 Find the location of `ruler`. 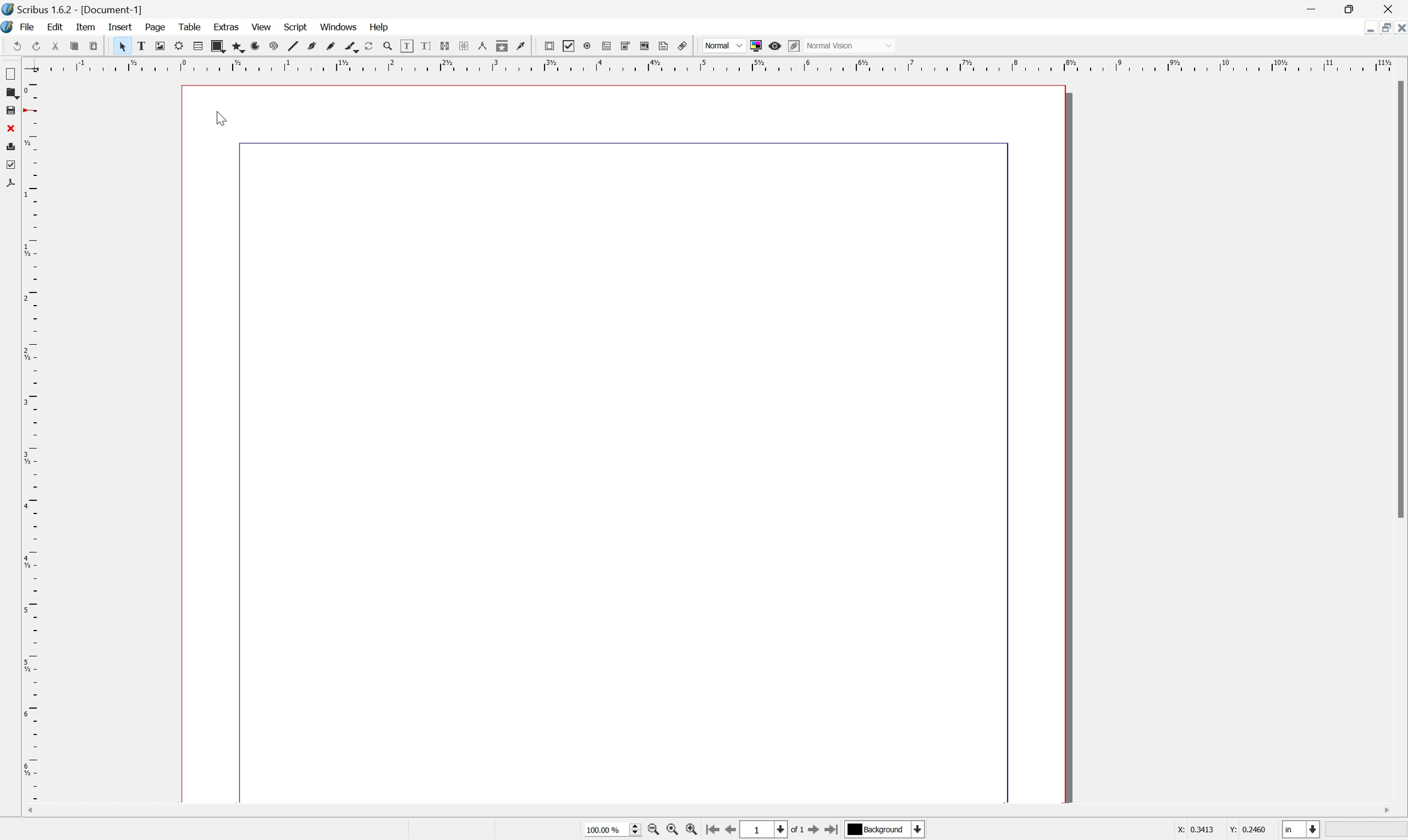

ruler is located at coordinates (12, 506).